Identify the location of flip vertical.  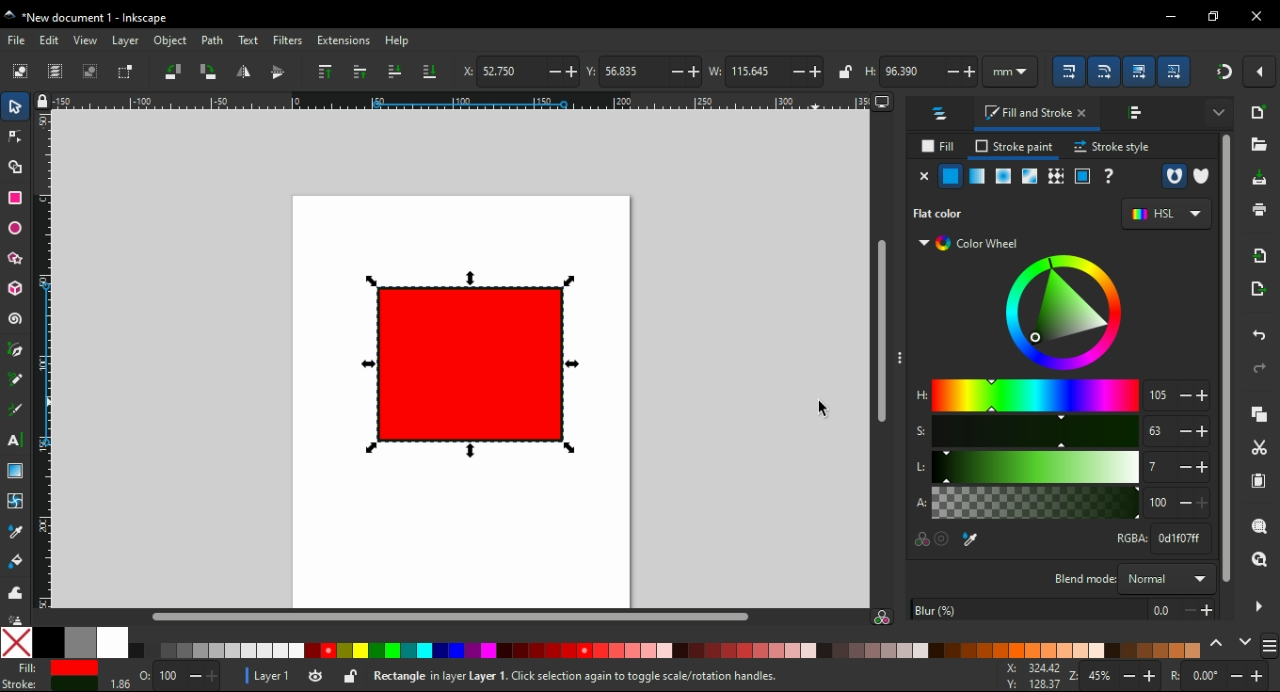
(278, 71).